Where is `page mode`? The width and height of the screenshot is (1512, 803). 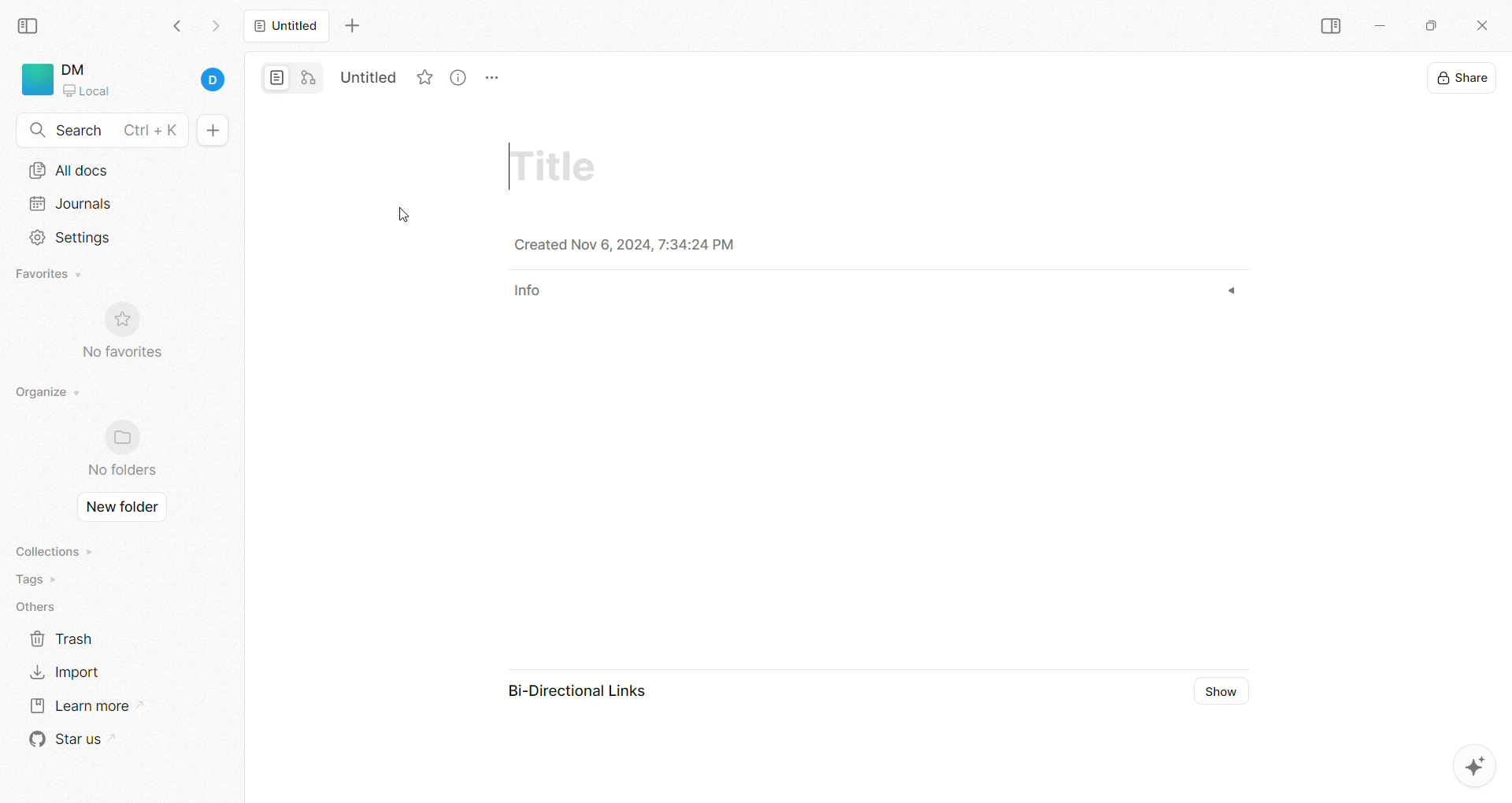 page mode is located at coordinates (278, 80).